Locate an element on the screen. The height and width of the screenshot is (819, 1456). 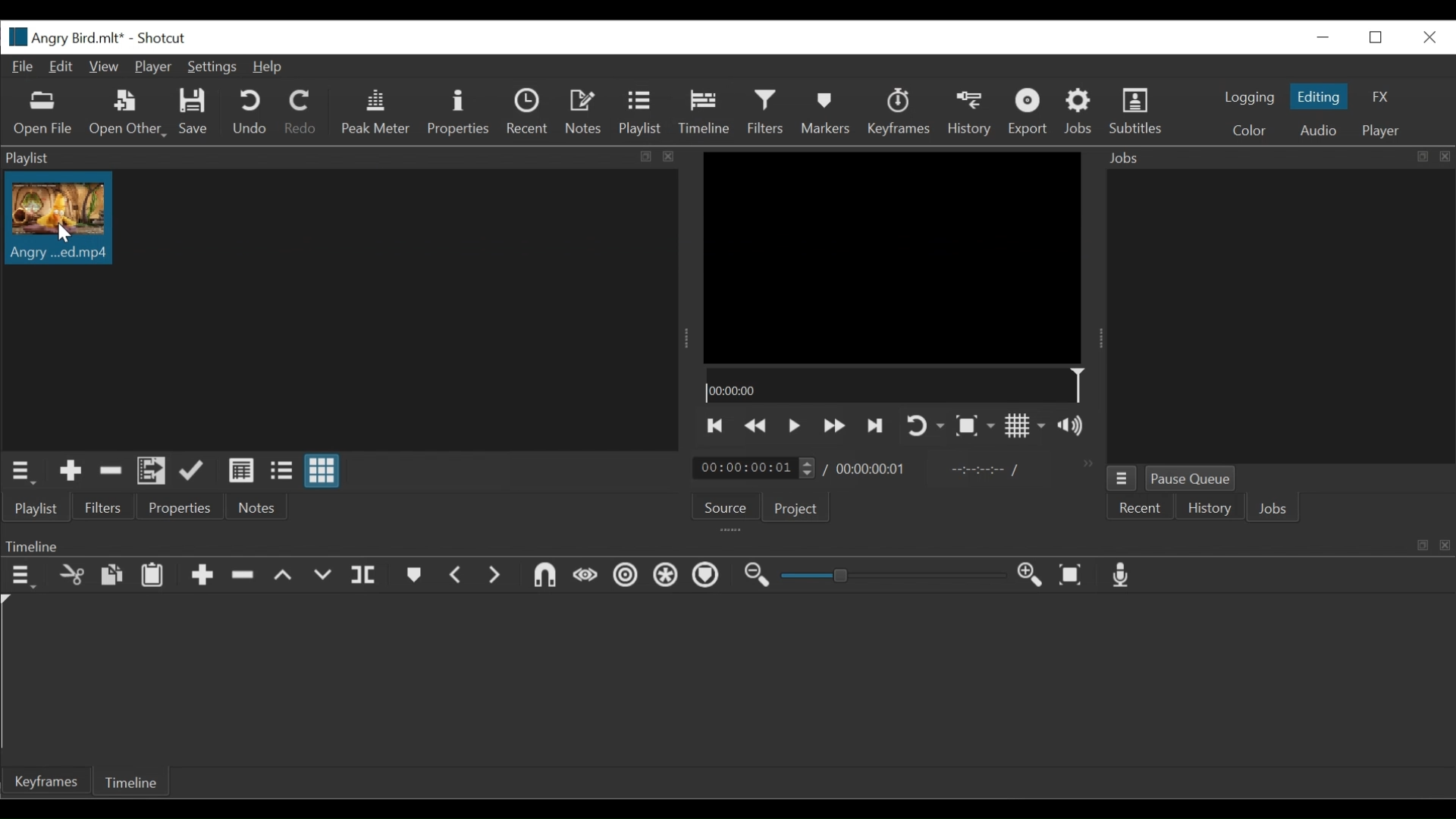
Timeline is located at coordinates (899, 387).